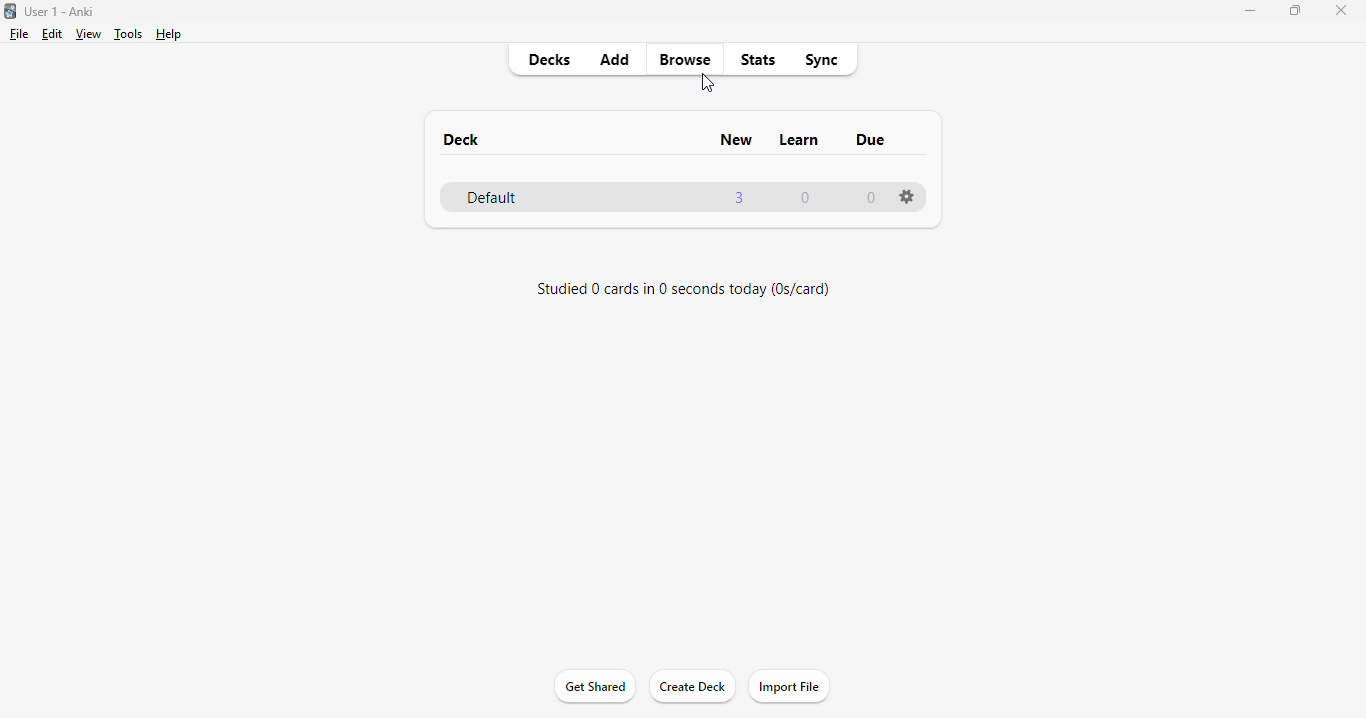 The width and height of the screenshot is (1366, 718). Describe the element at coordinates (170, 35) in the screenshot. I see `help` at that location.